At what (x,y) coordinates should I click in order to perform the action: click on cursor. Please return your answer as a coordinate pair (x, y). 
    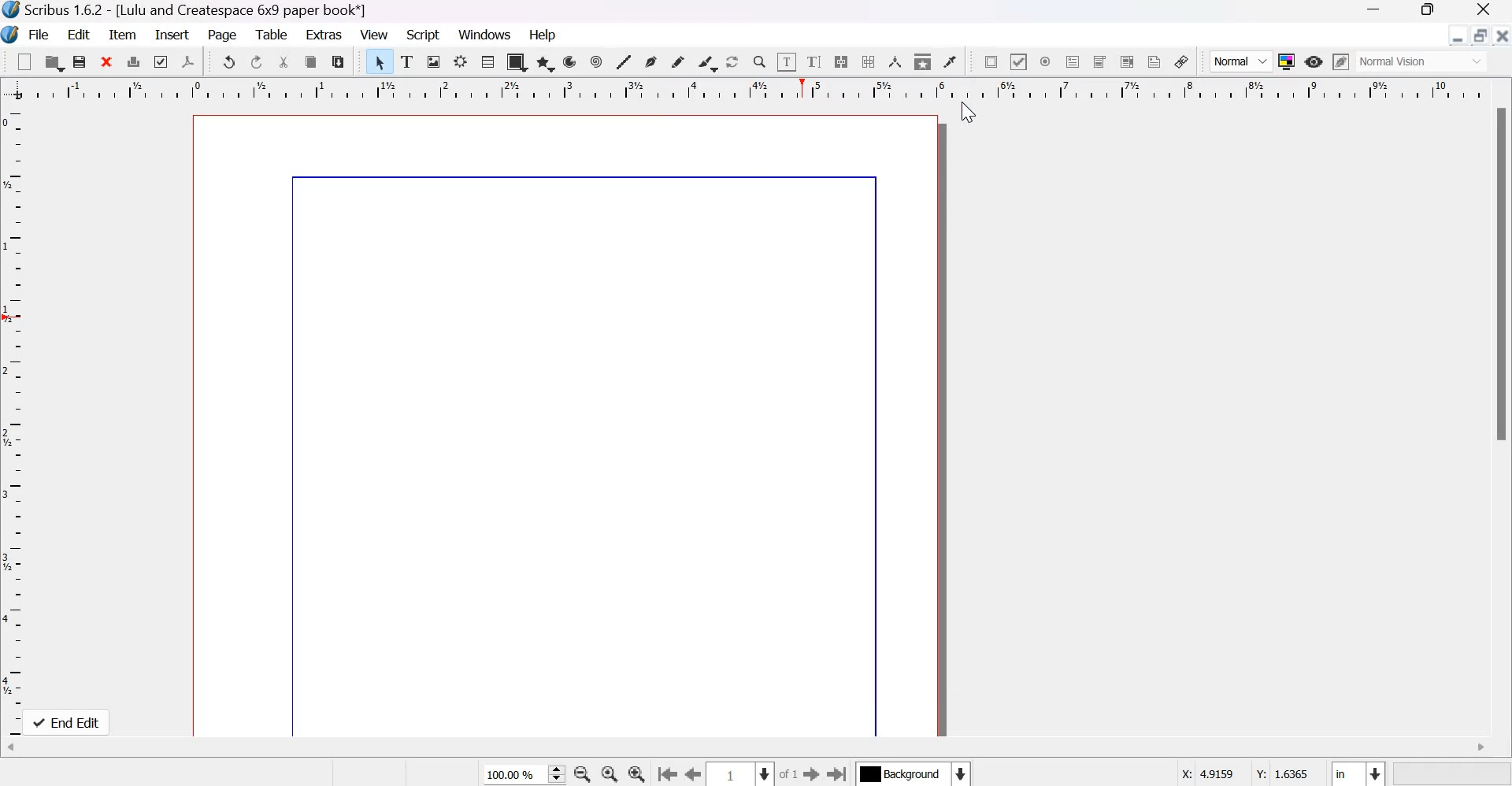
    Looking at the image, I should click on (966, 113).